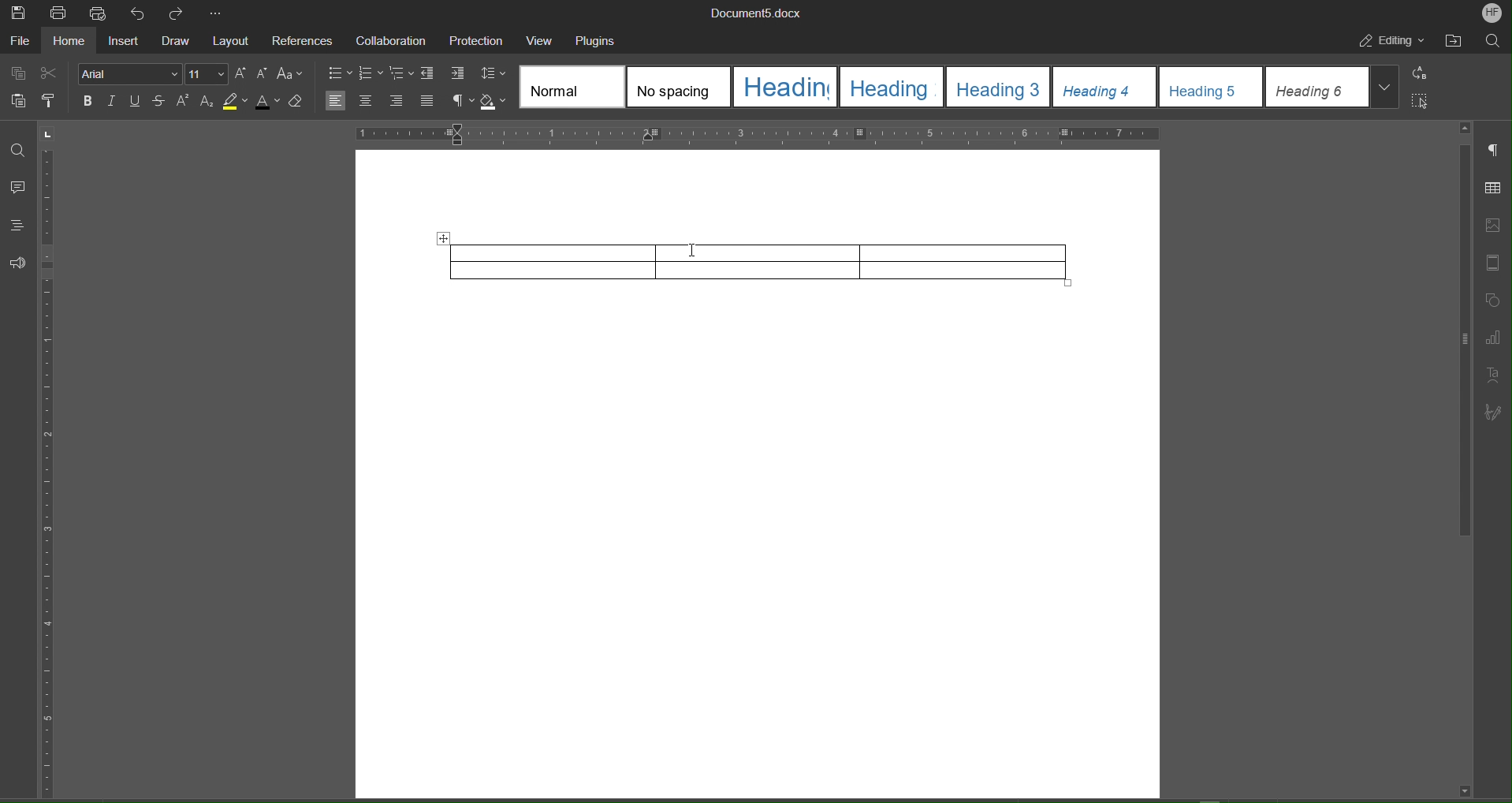 This screenshot has width=1512, height=803. I want to click on Increase Size, so click(240, 74).